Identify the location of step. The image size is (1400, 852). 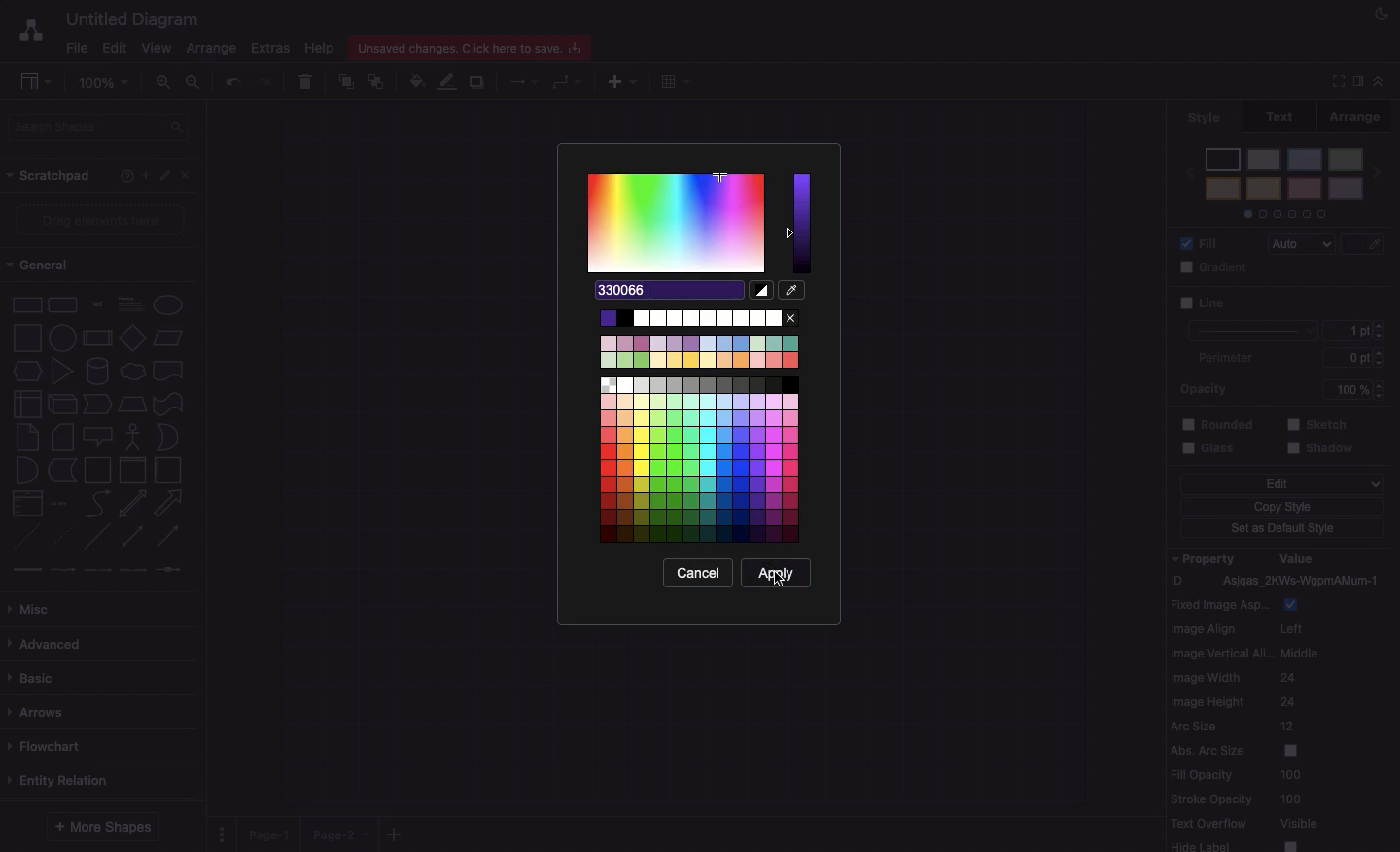
(95, 403).